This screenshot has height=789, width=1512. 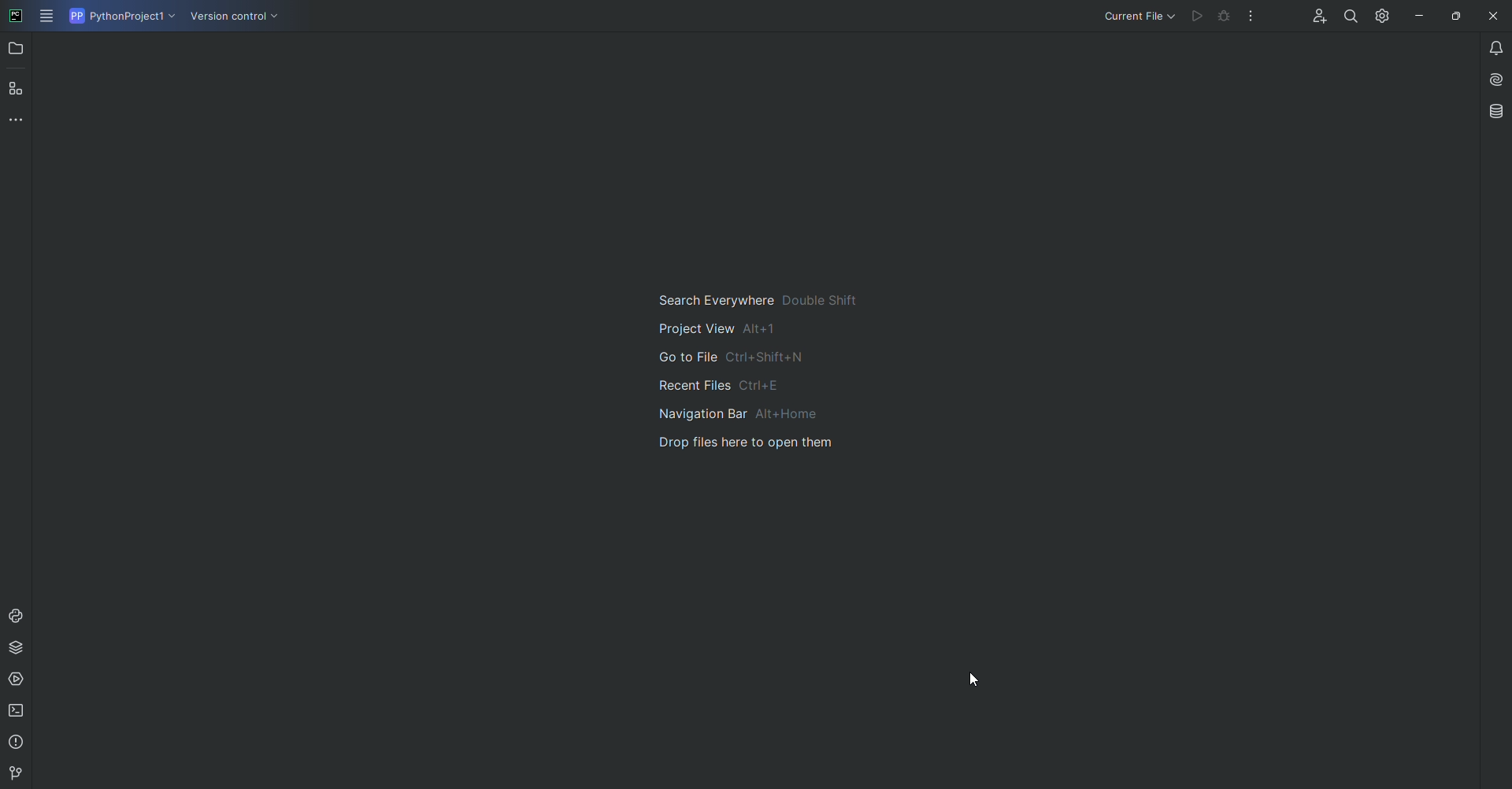 What do you see at coordinates (1379, 15) in the screenshot?
I see `Settings` at bounding box center [1379, 15].